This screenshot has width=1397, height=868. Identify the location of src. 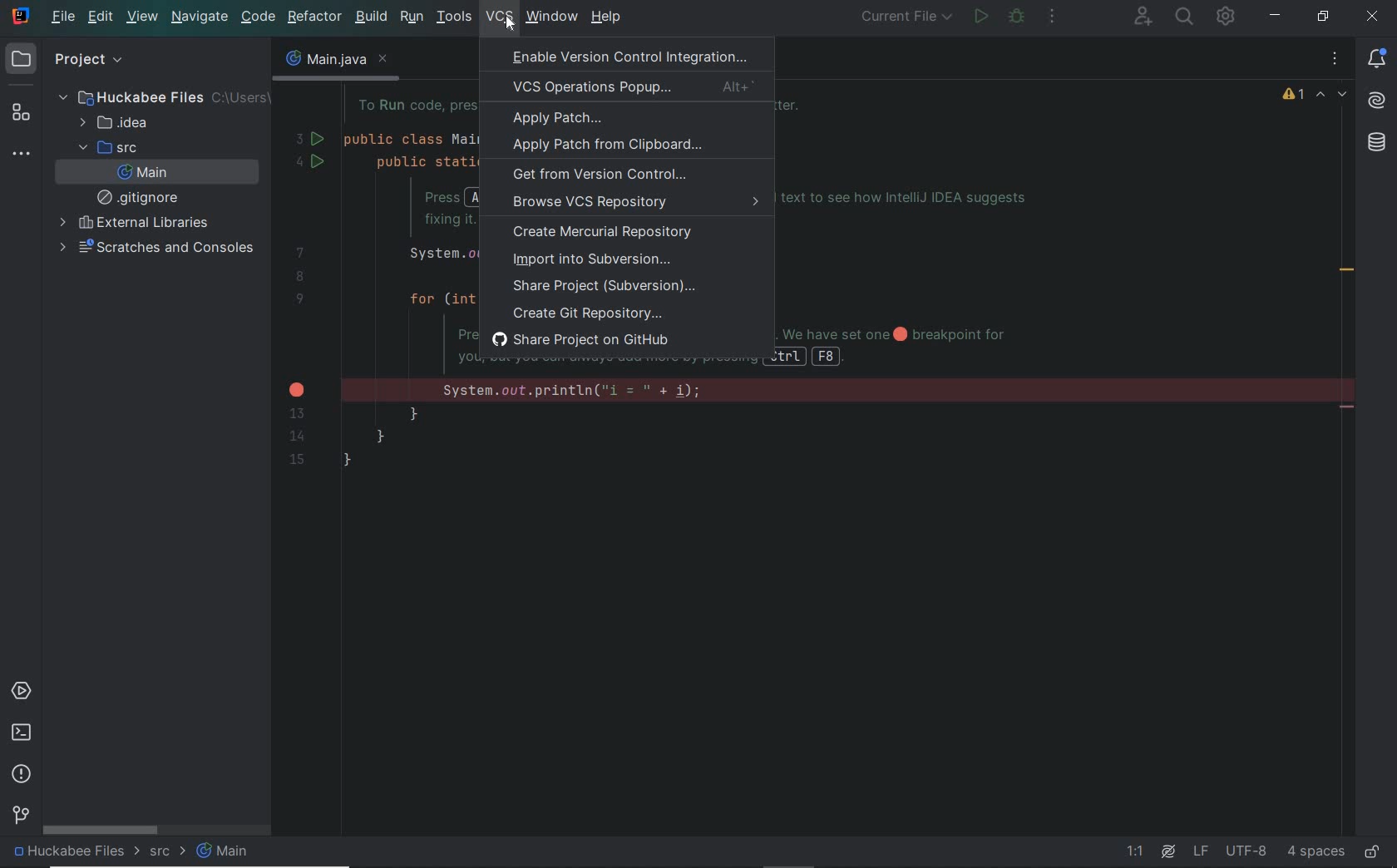
(167, 853).